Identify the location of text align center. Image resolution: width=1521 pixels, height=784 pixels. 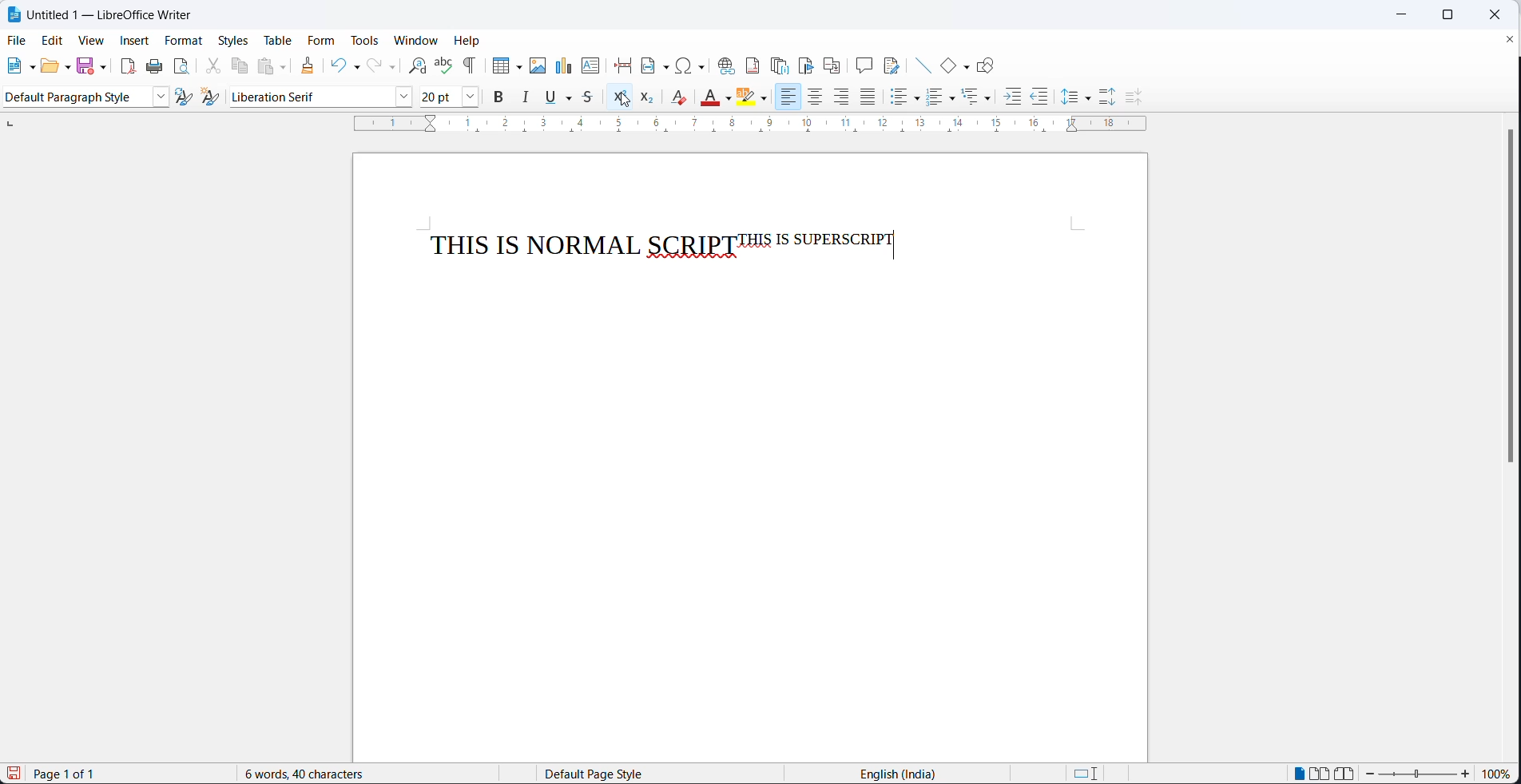
(818, 97).